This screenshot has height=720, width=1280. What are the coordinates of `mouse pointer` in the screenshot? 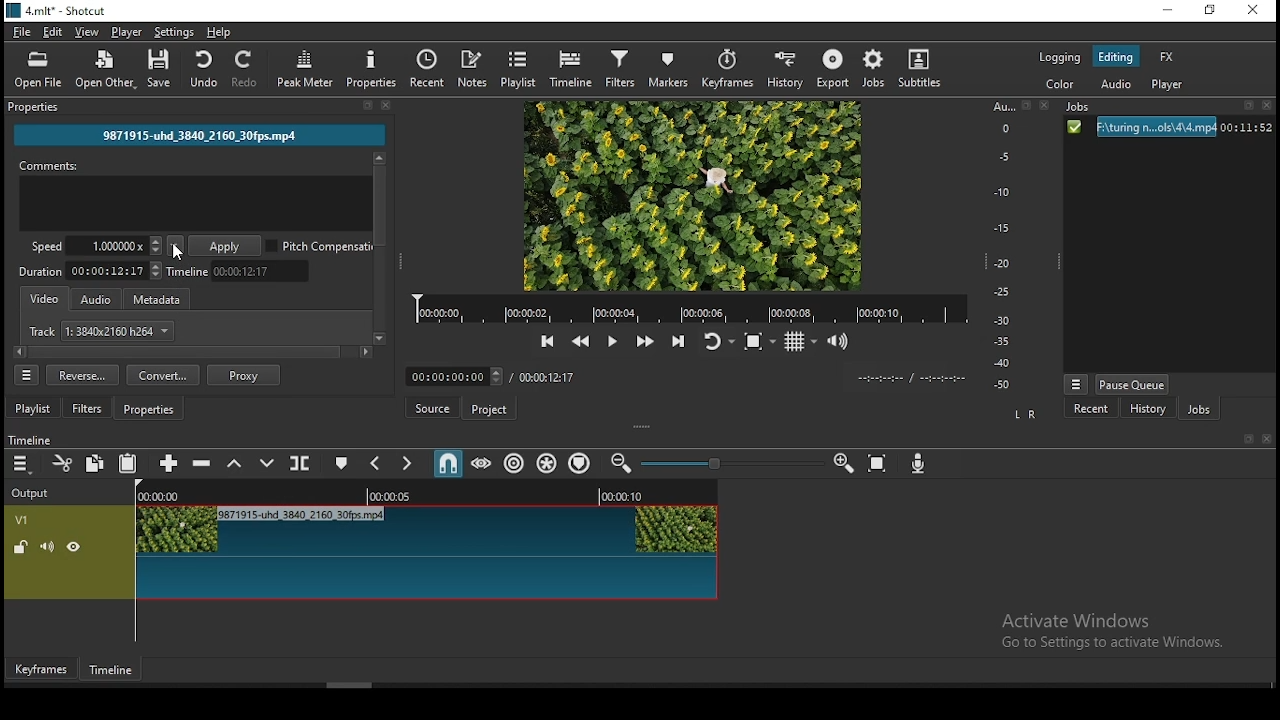 It's located at (259, 542).